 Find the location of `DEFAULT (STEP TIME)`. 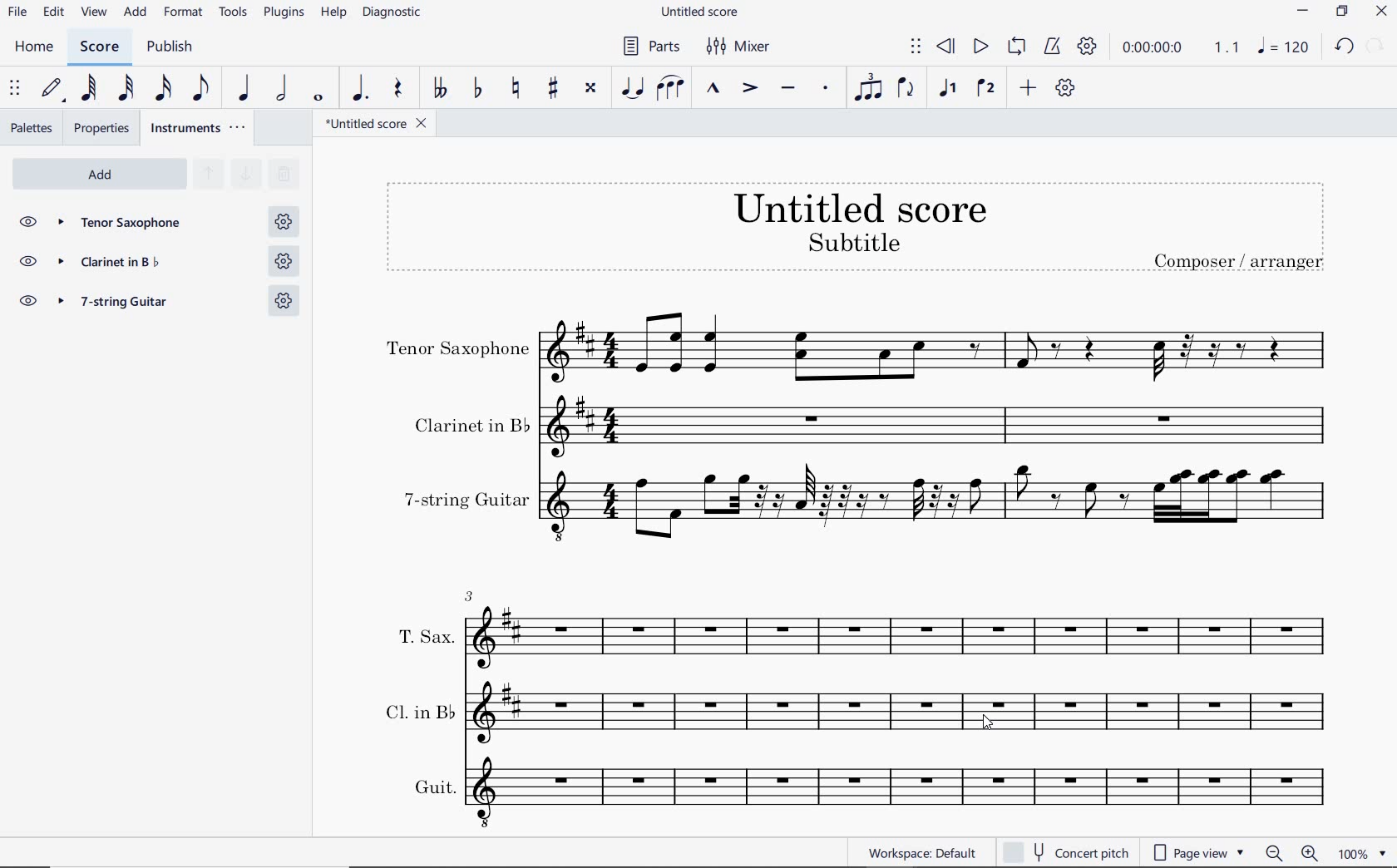

DEFAULT (STEP TIME) is located at coordinates (52, 90).